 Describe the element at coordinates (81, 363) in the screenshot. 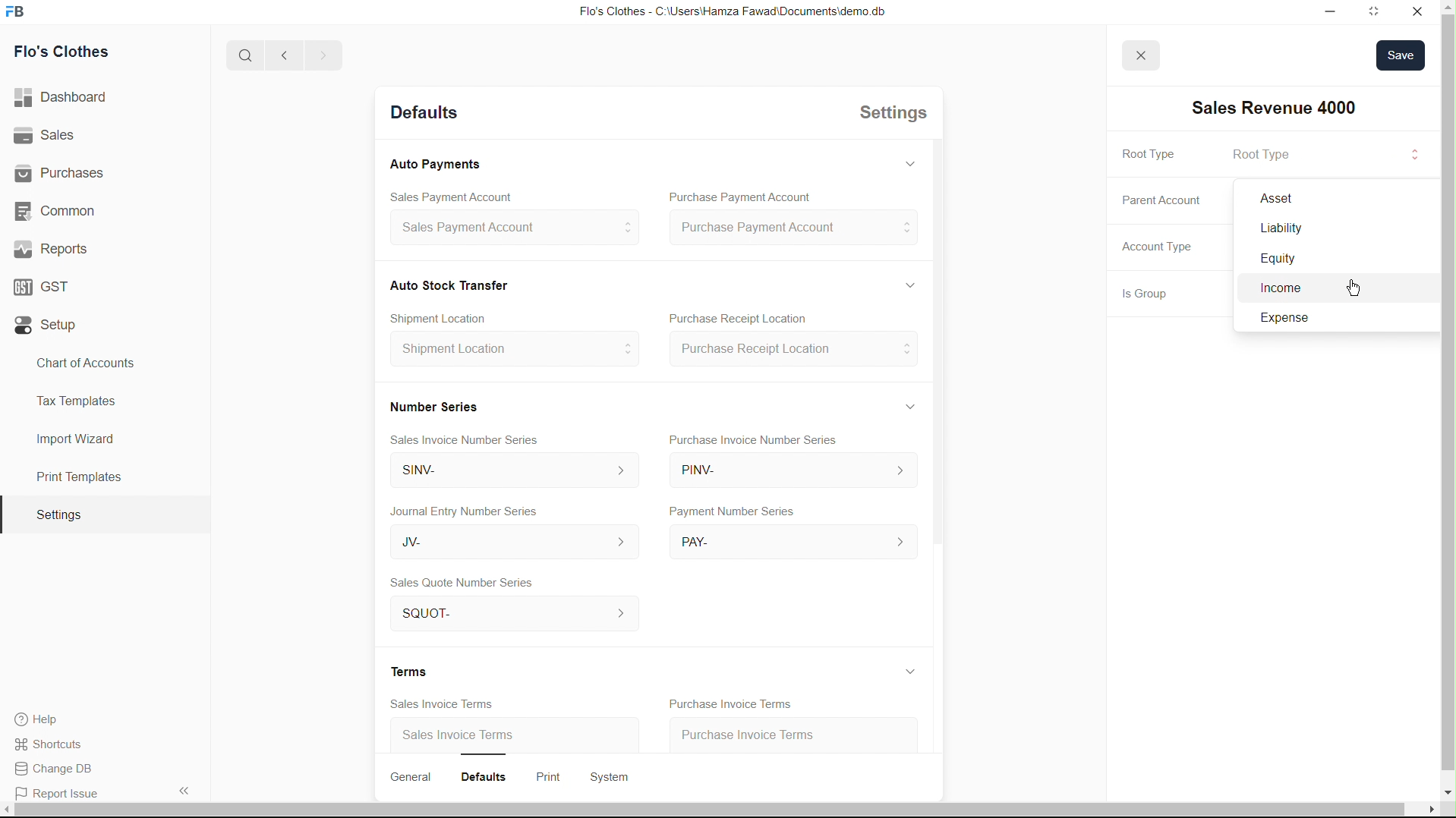

I see `Chart of Accounts` at that location.